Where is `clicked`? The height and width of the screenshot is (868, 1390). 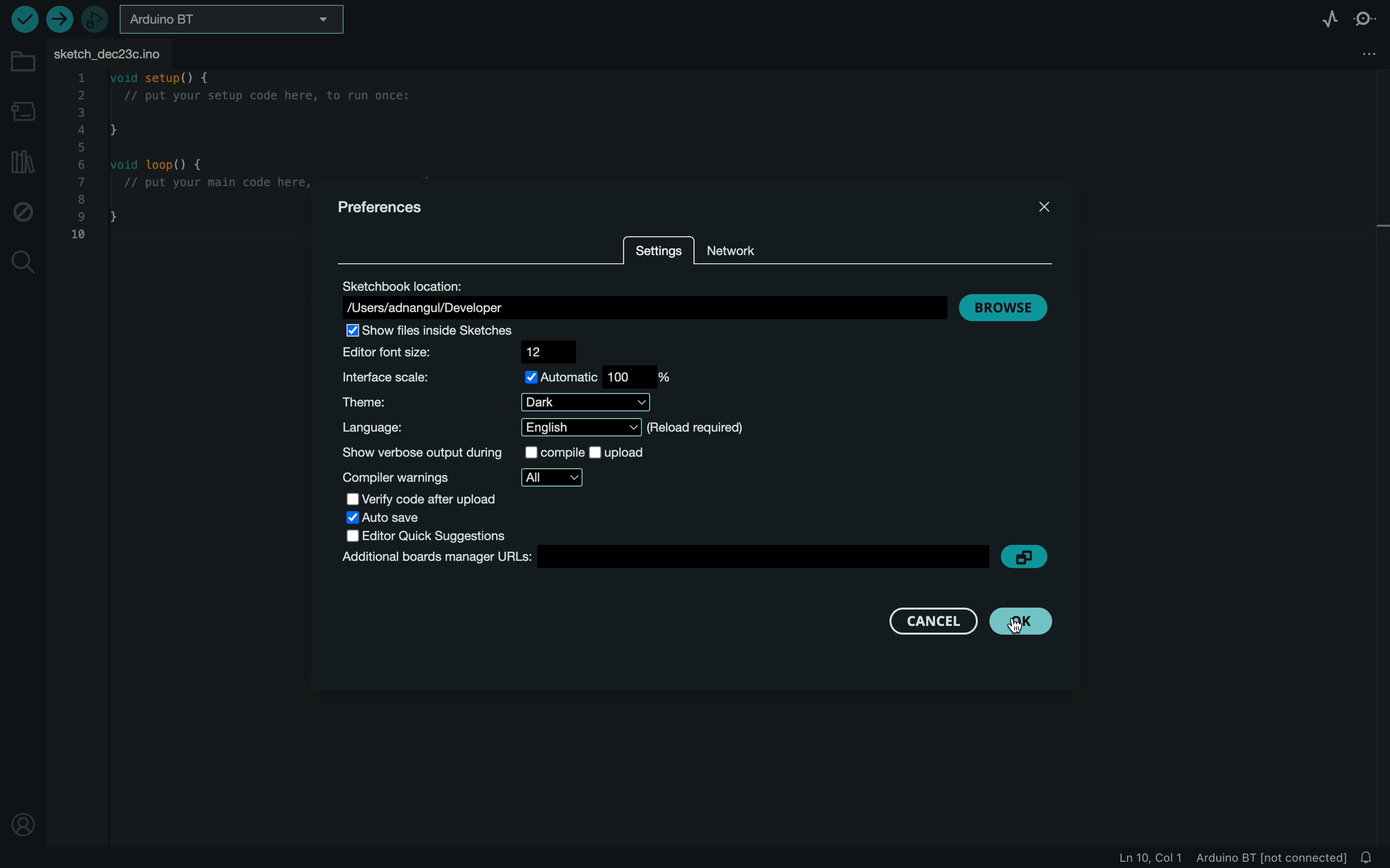
clicked is located at coordinates (1022, 621).